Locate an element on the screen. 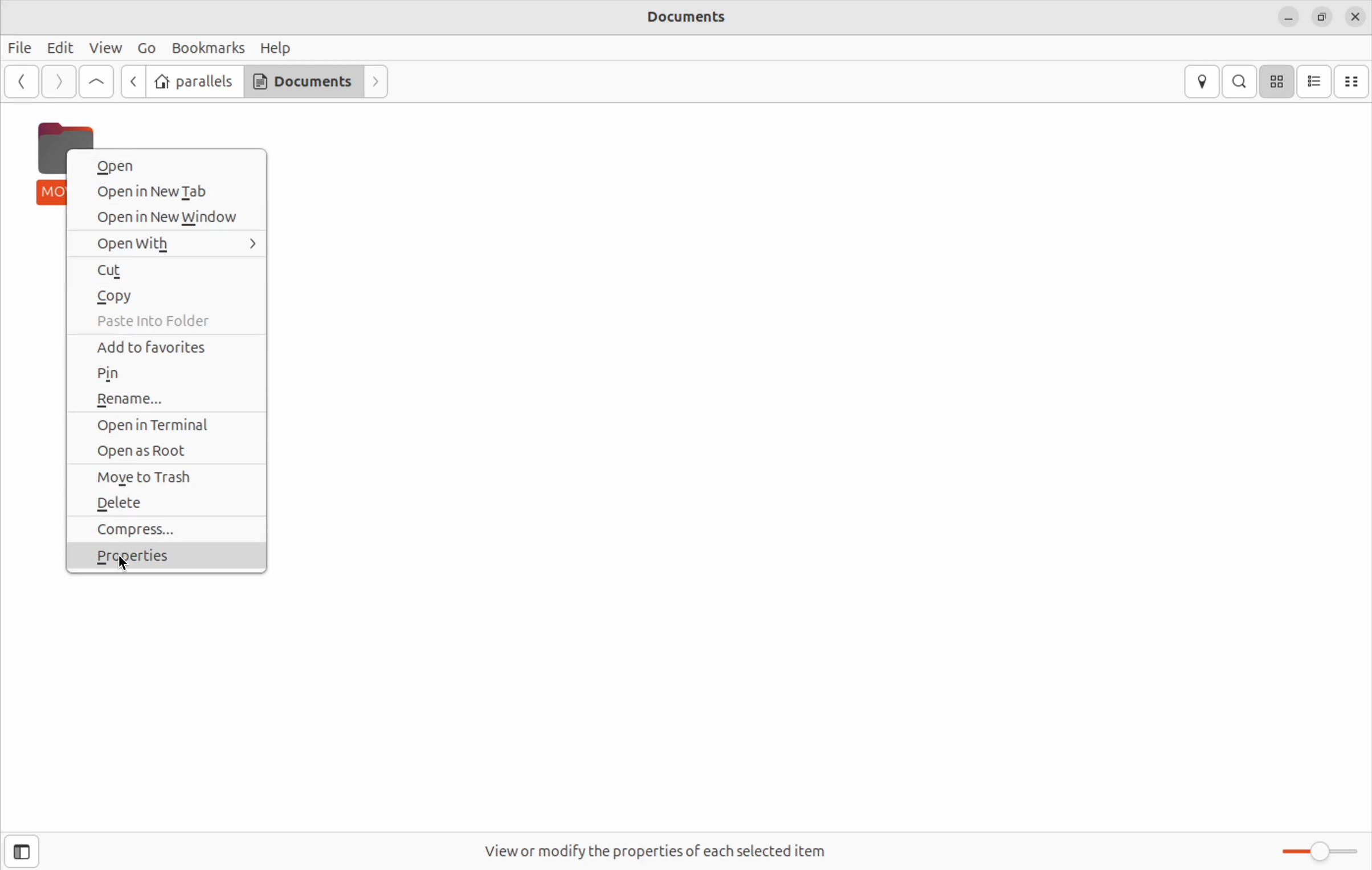  Search  is located at coordinates (1241, 82).